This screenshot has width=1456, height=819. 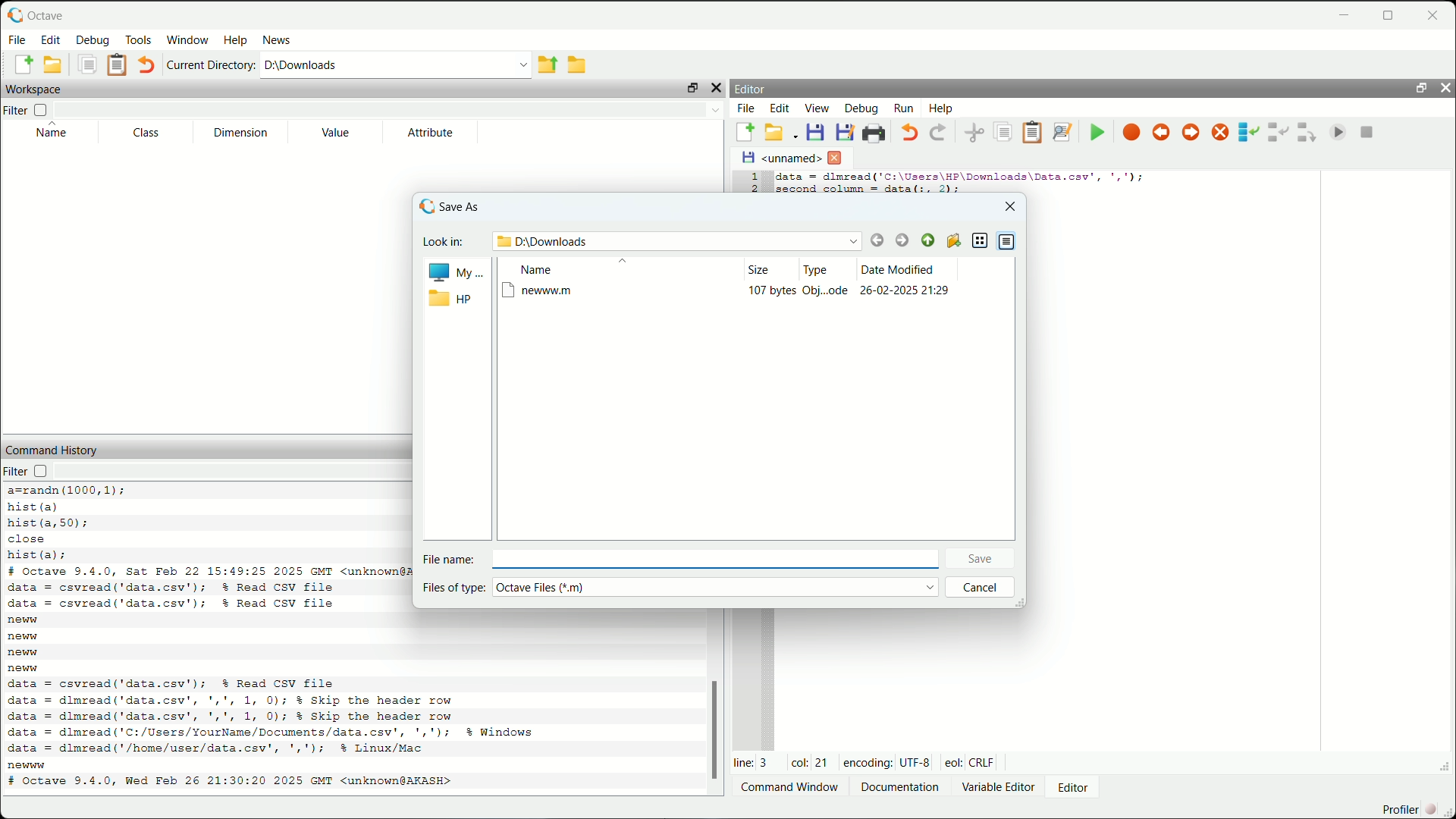 What do you see at coordinates (836, 160) in the screenshot?
I see `close` at bounding box center [836, 160].